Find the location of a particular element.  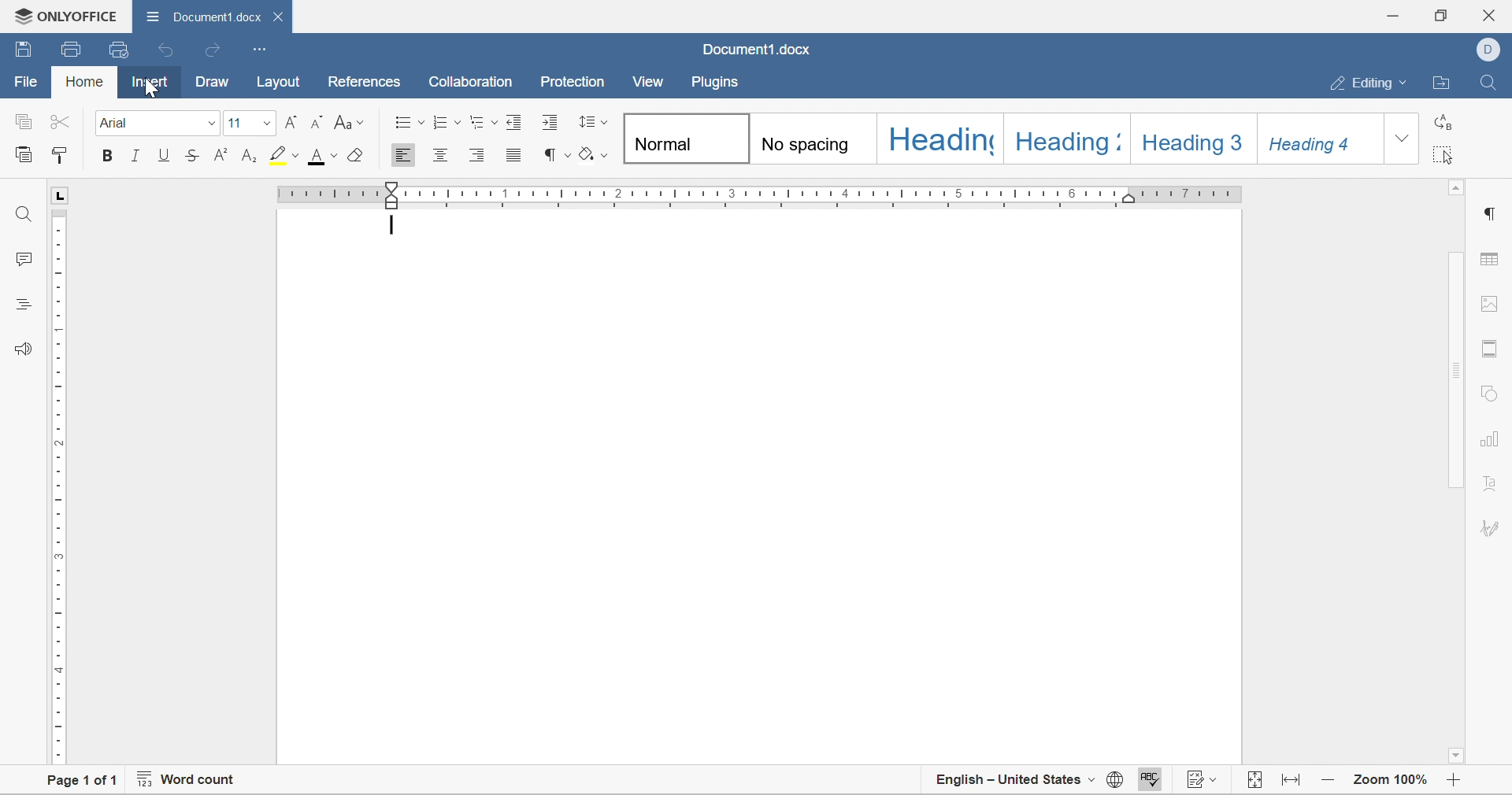

Drop down is located at coordinates (1405, 142).